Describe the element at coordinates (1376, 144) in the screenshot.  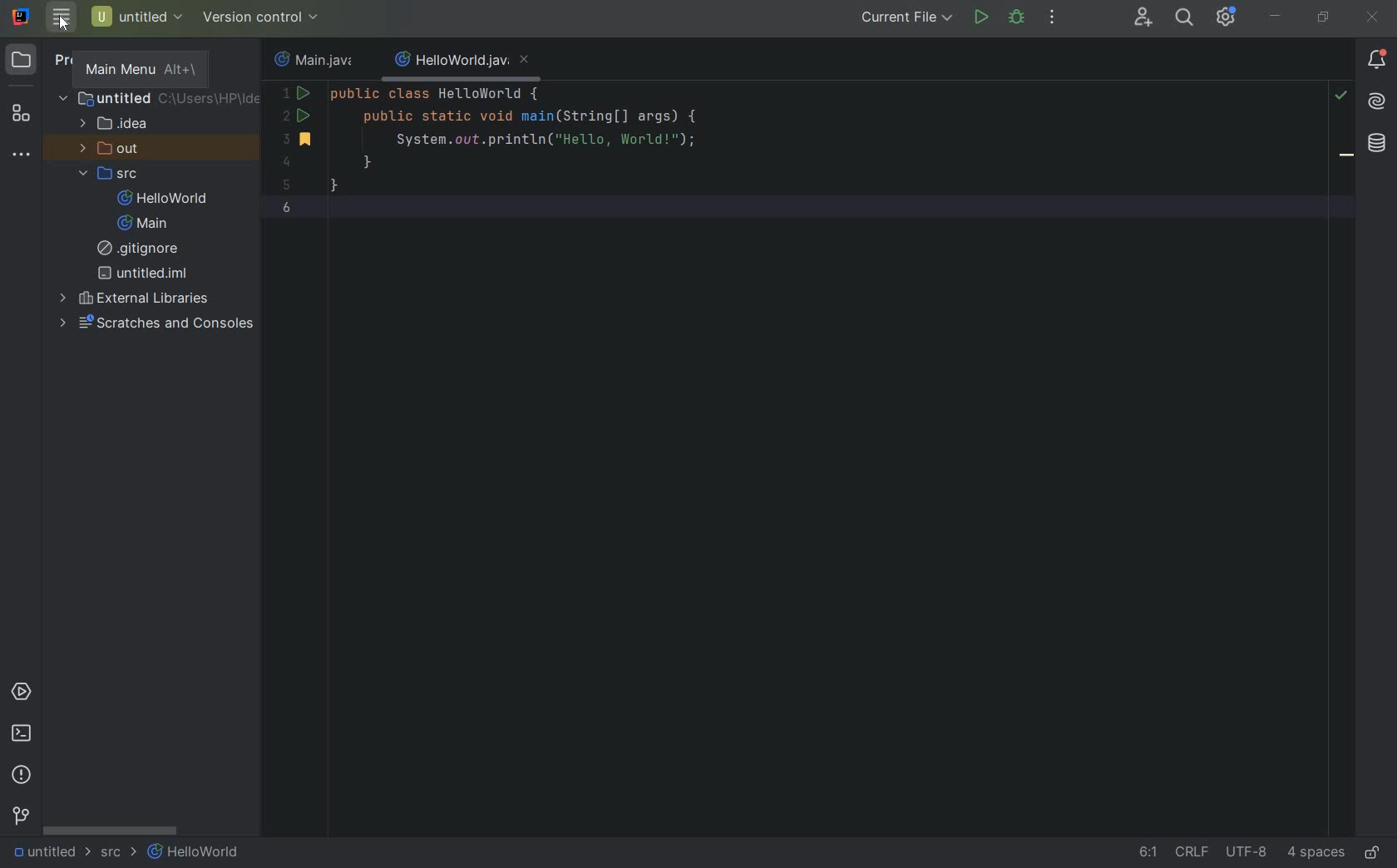
I see `database` at that location.